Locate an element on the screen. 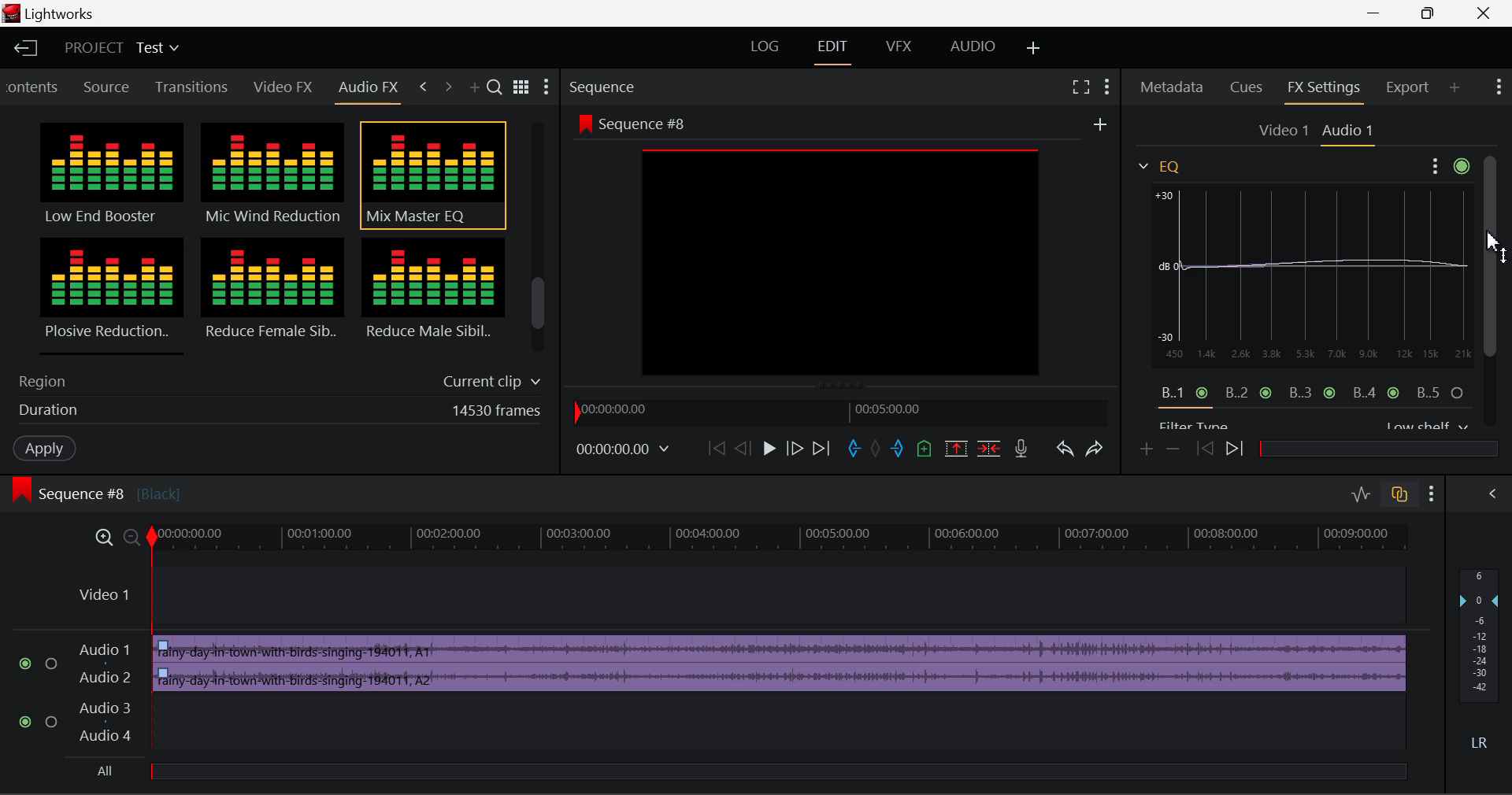 The image size is (1512, 795). Project Title is located at coordinates (120, 47).